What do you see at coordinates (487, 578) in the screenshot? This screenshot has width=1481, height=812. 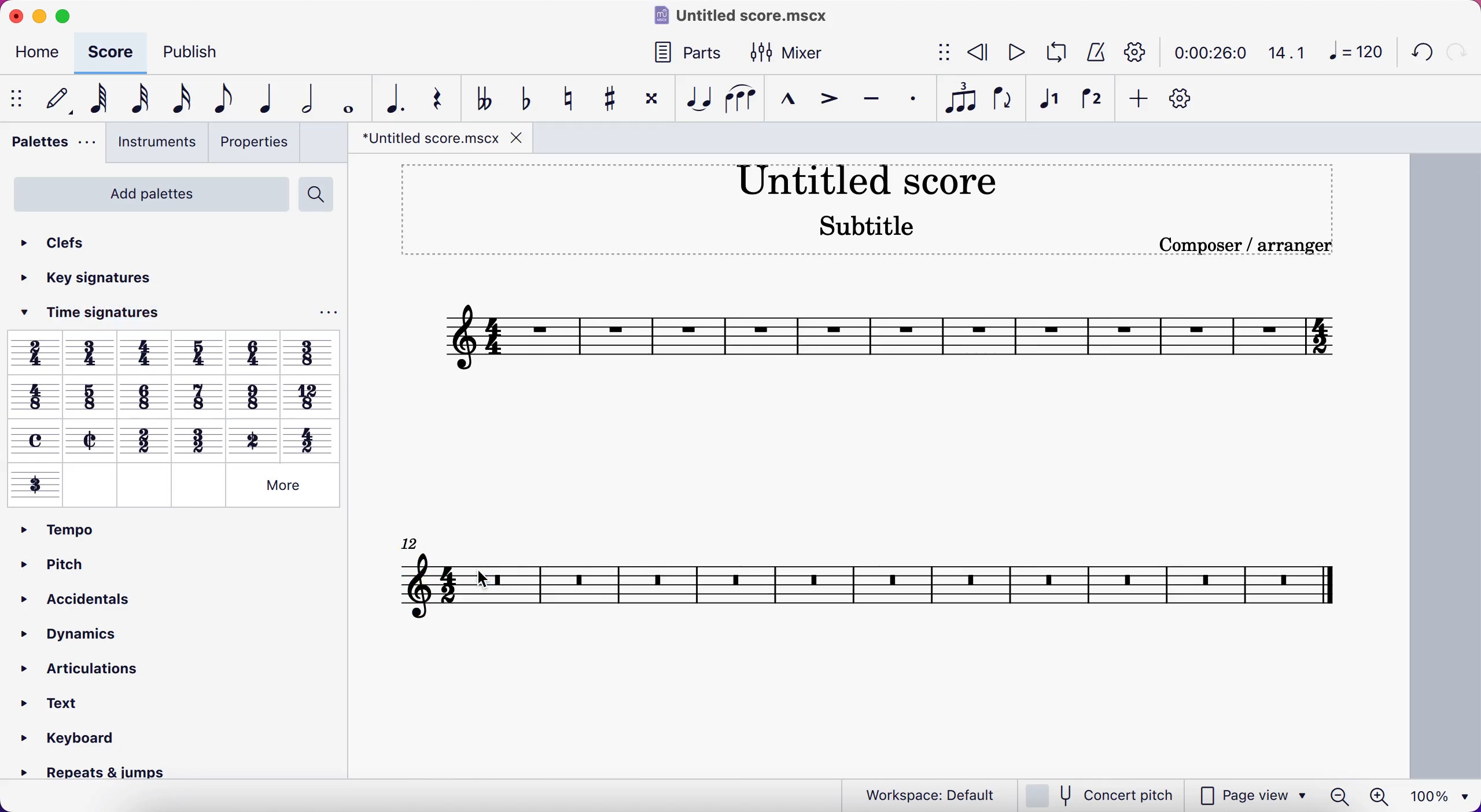 I see `cursor` at bounding box center [487, 578].